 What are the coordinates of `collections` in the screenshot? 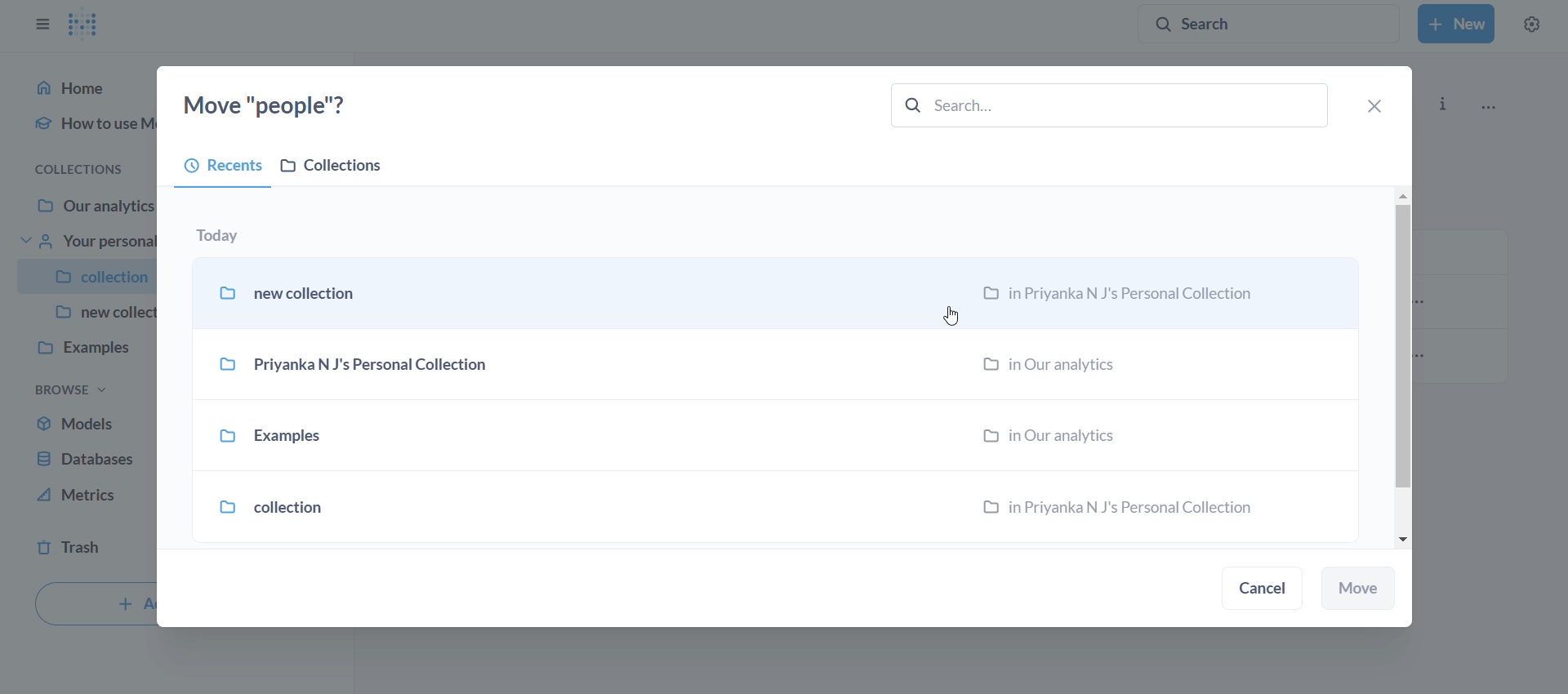 It's located at (333, 169).